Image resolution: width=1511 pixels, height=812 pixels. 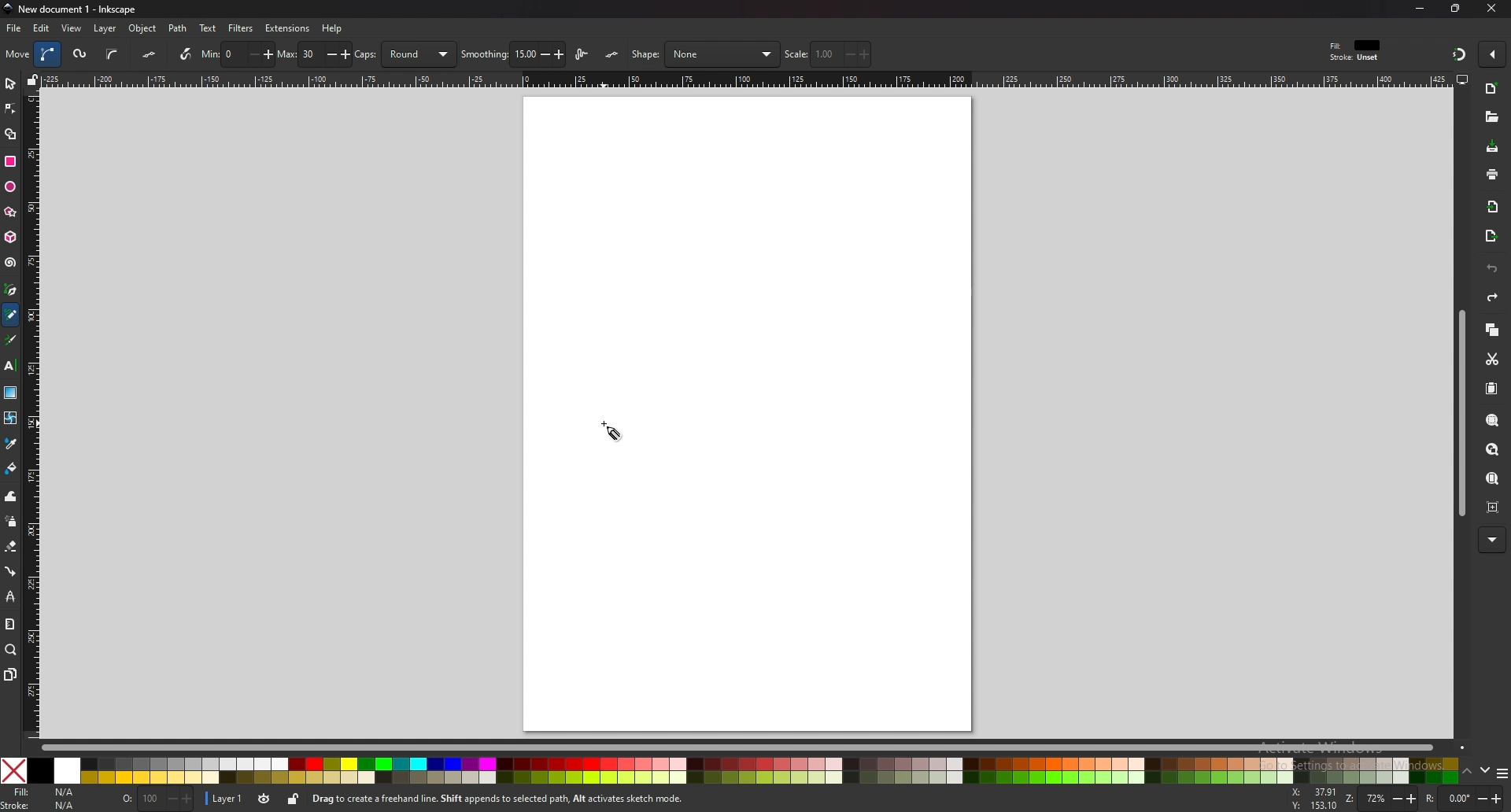 What do you see at coordinates (69, 9) in the screenshot?
I see `title` at bounding box center [69, 9].